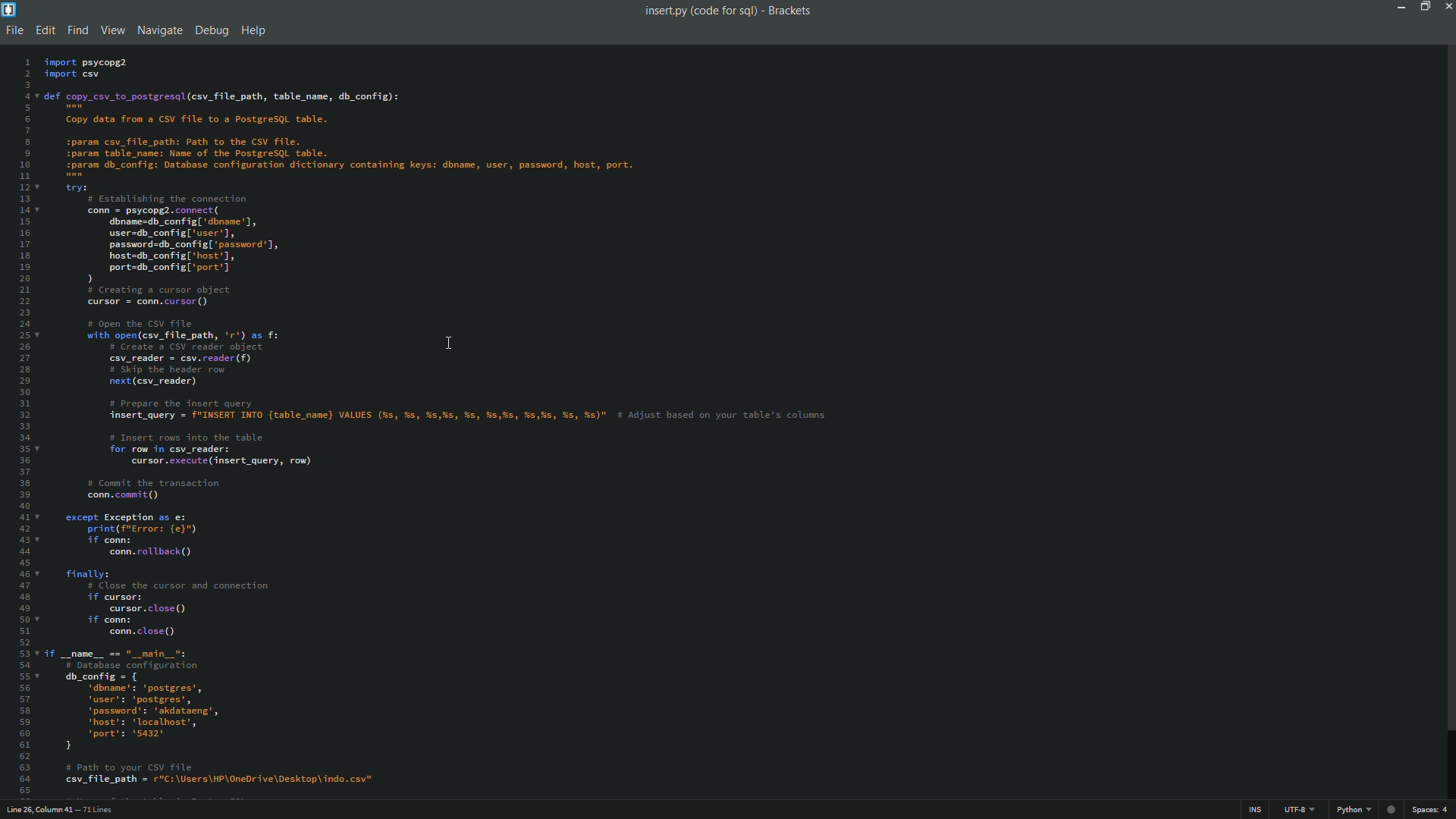 Image resolution: width=1456 pixels, height=819 pixels. Describe the element at coordinates (1401, 6) in the screenshot. I see `minimize` at that location.